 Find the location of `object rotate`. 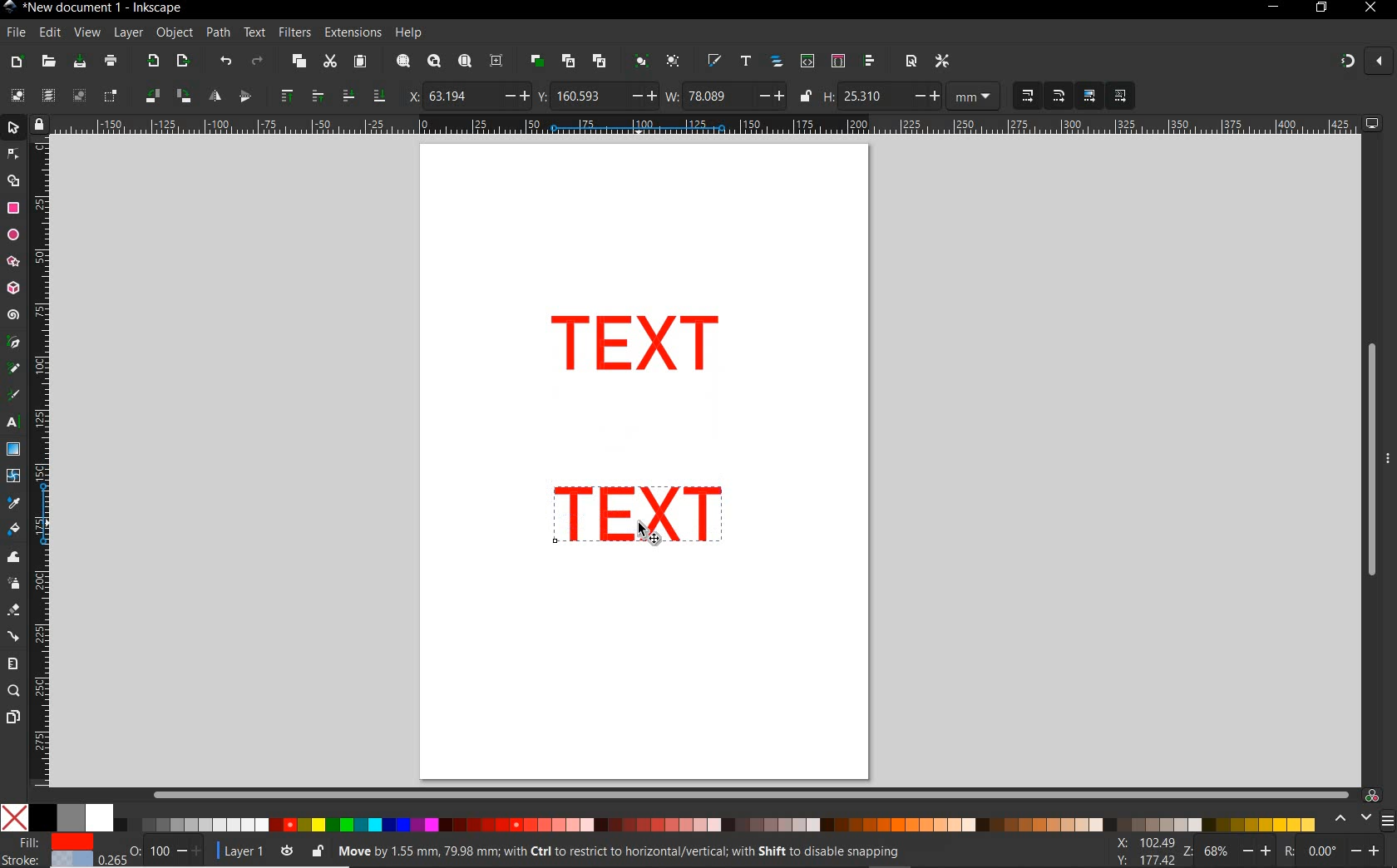

object rotate is located at coordinates (166, 96).